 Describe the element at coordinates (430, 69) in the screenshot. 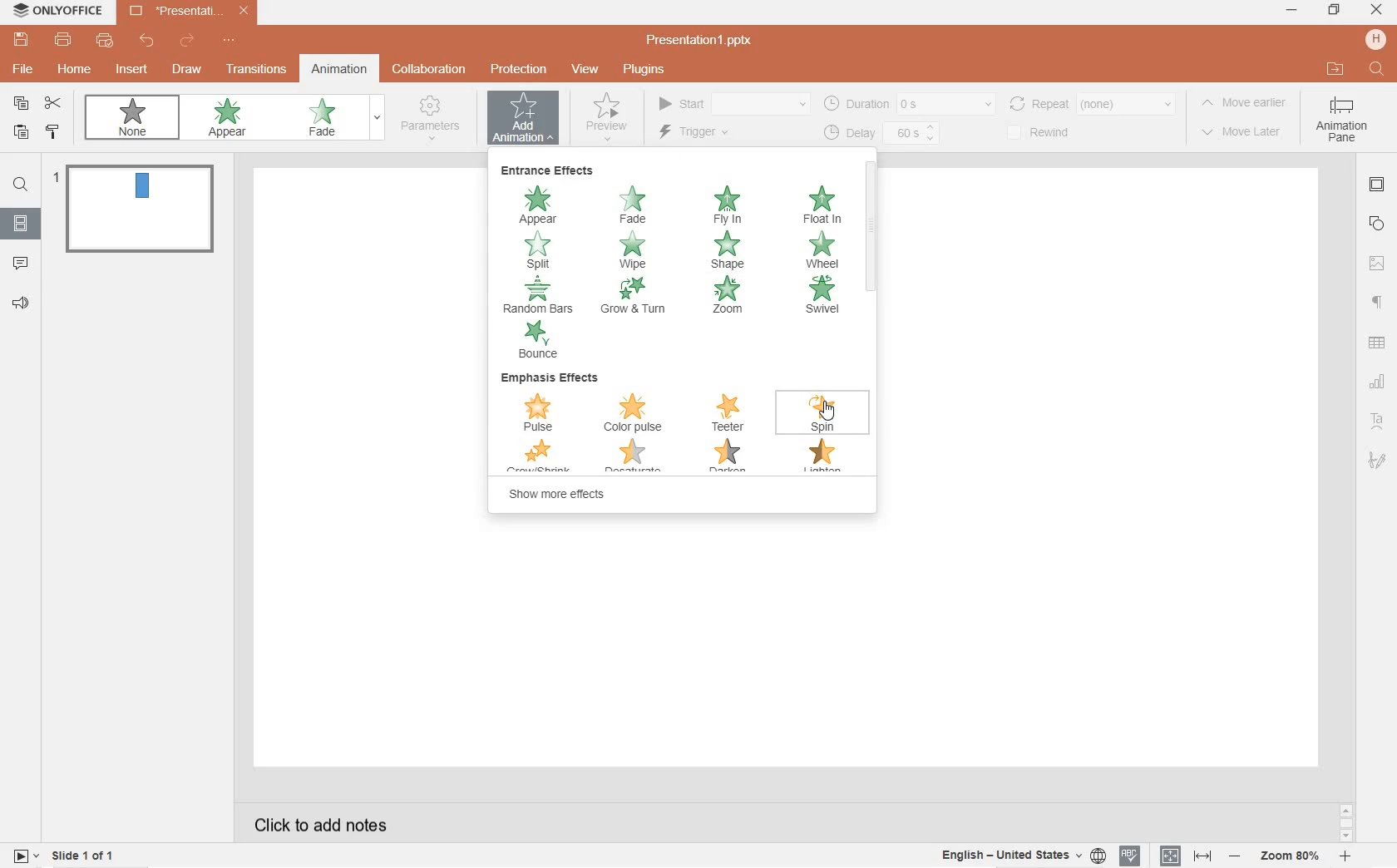

I see `collaboration` at that location.